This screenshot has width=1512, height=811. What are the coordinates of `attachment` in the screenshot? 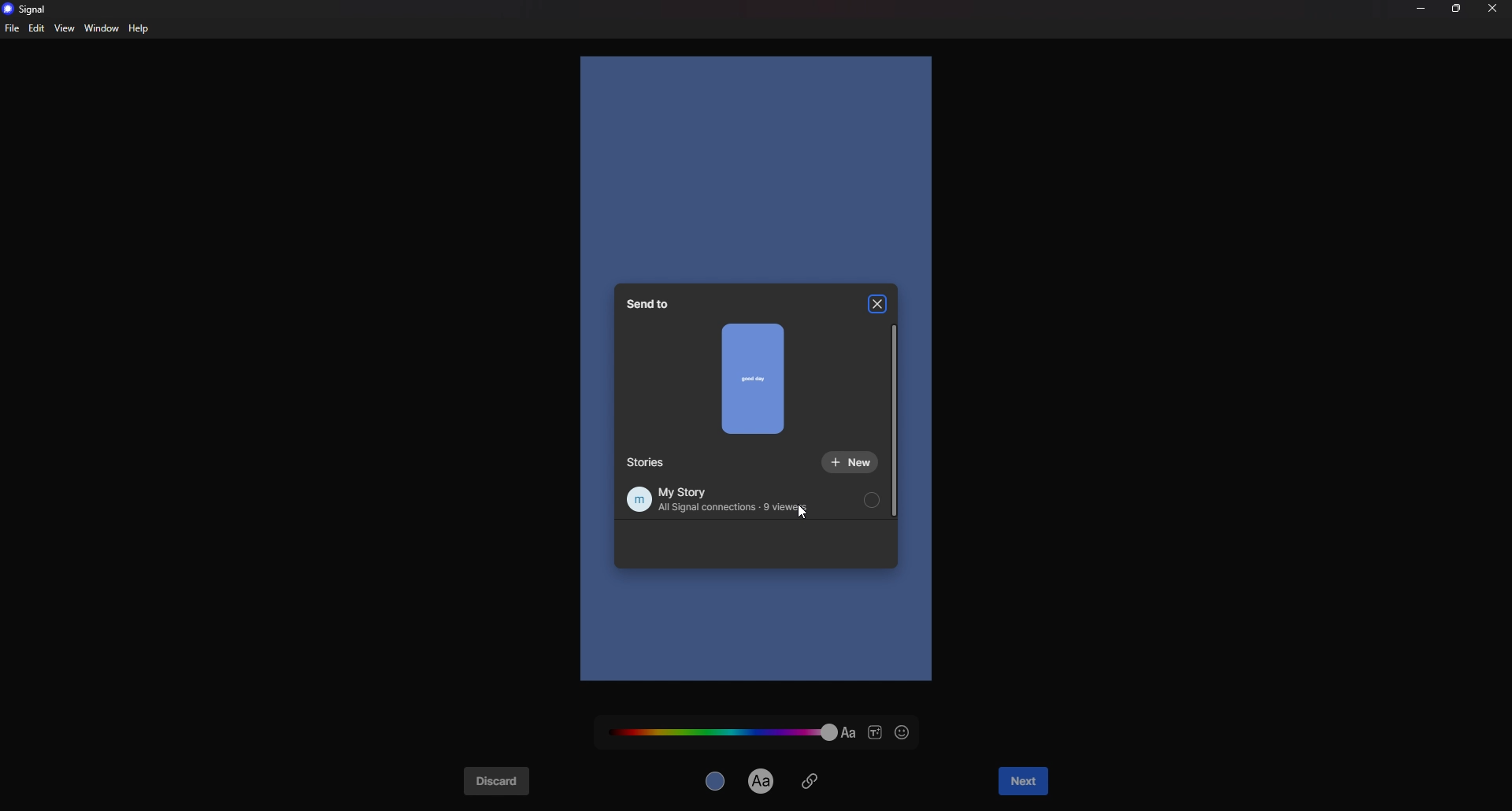 It's located at (810, 780).